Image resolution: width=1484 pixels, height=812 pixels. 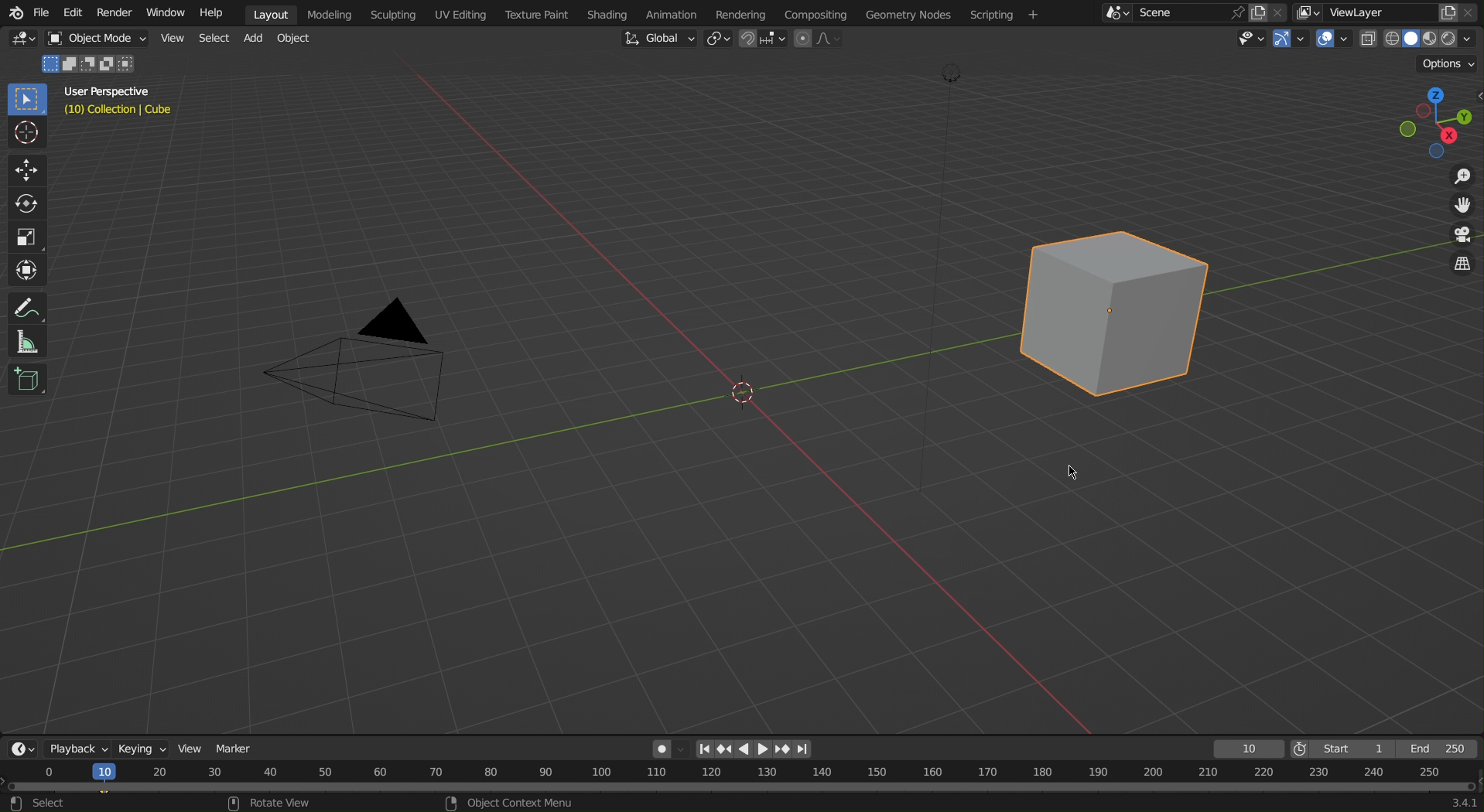 What do you see at coordinates (26, 343) in the screenshot?
I see `Measure` at bounding box center [26, 343].